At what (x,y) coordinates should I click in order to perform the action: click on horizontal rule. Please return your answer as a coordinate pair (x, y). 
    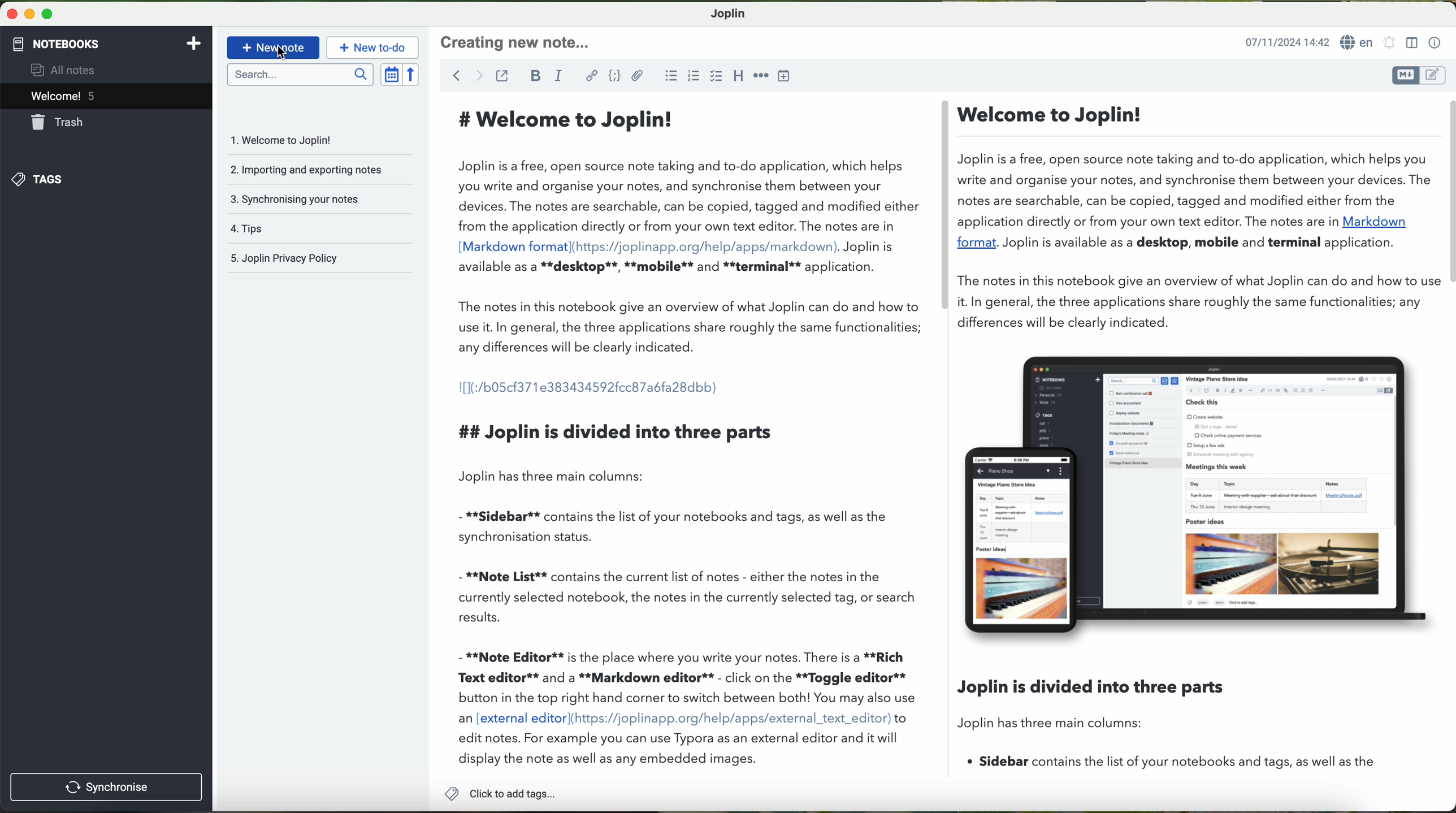
    Looking at the image, I should click on (761, 76).